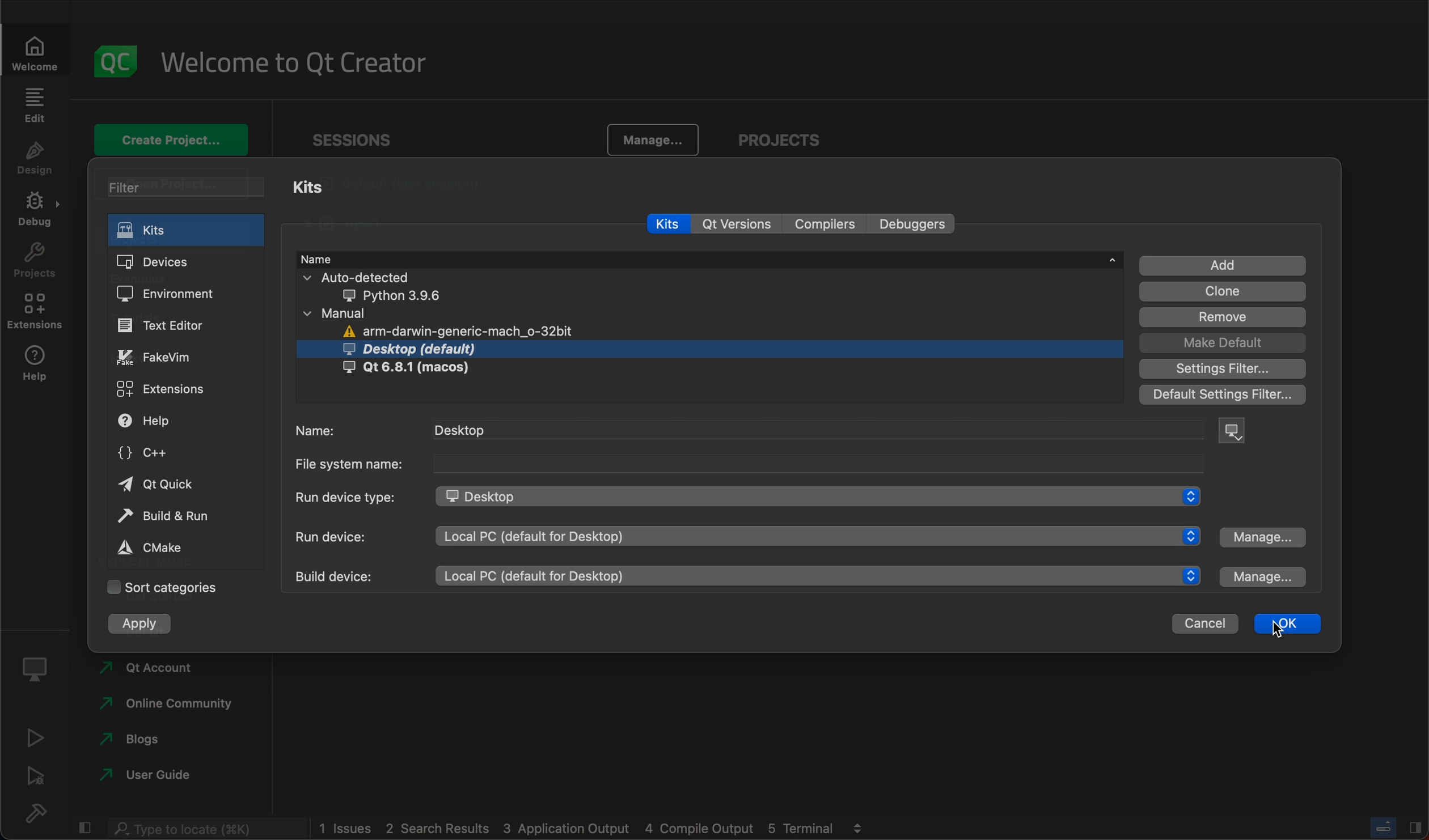  I want to click on manage, so click(1266, 536).